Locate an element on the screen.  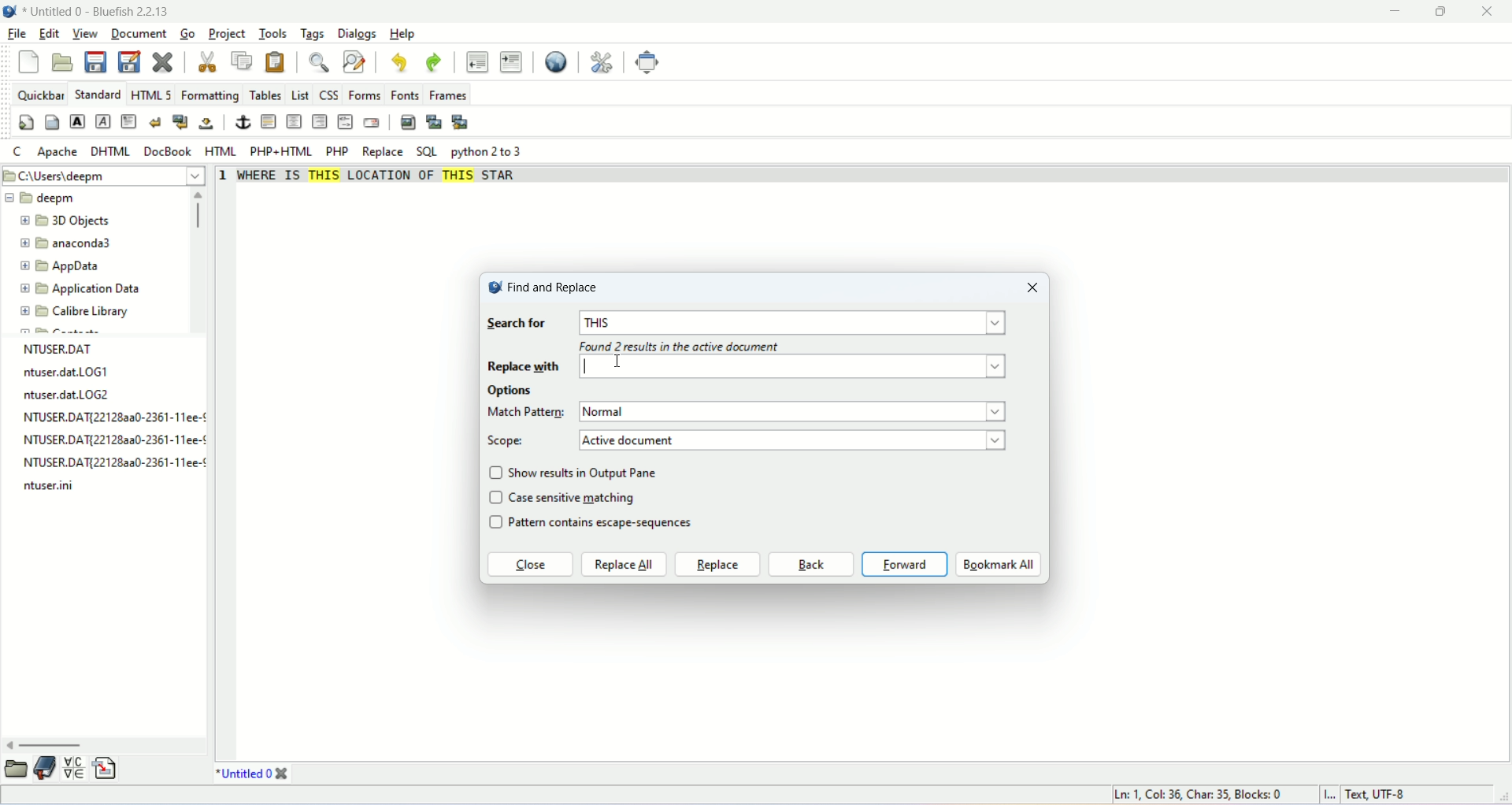
frames is located at coordinates (449, 96).